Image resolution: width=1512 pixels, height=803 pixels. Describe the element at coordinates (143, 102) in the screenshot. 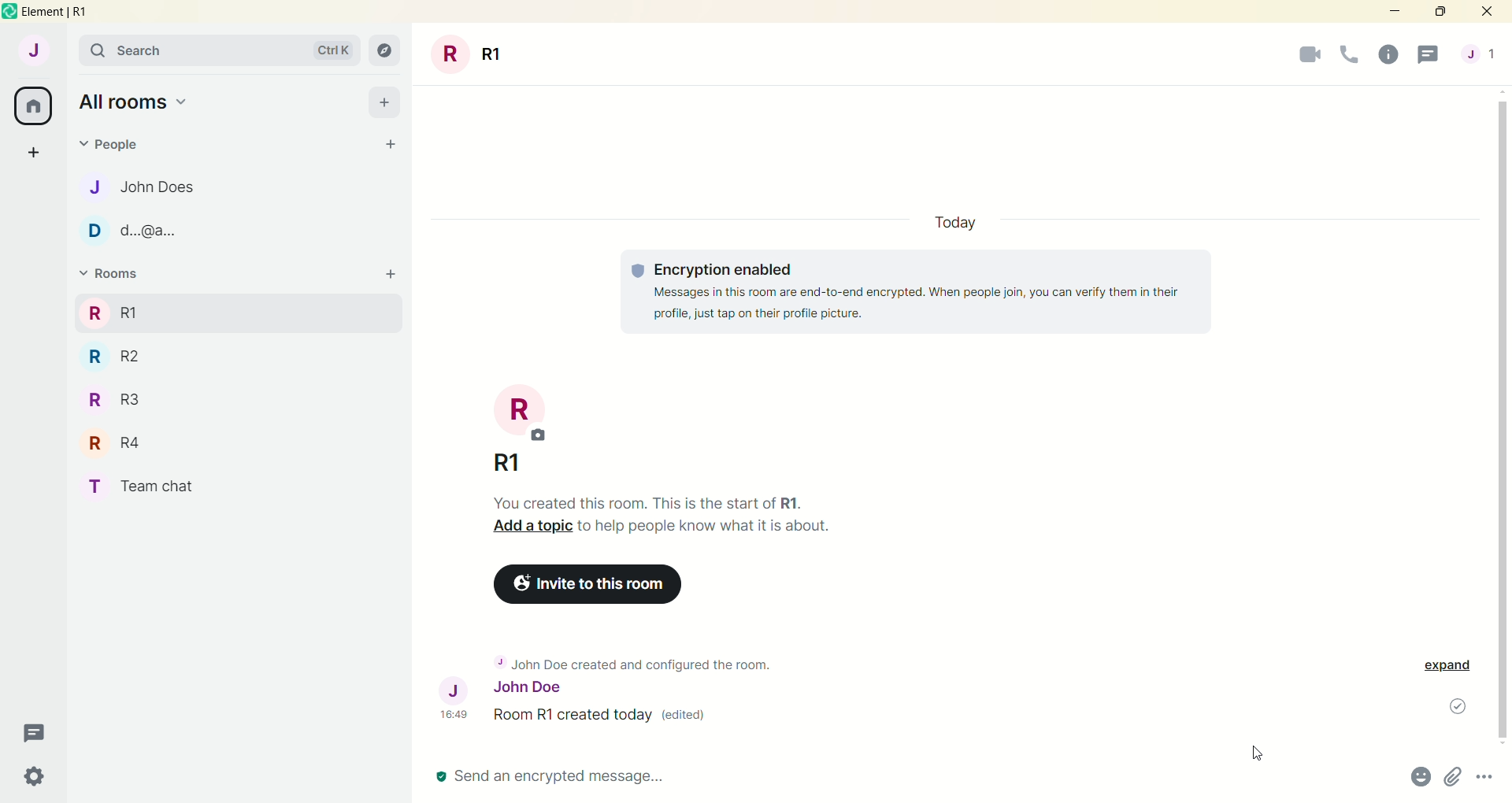

I see `all rooms` at that location.